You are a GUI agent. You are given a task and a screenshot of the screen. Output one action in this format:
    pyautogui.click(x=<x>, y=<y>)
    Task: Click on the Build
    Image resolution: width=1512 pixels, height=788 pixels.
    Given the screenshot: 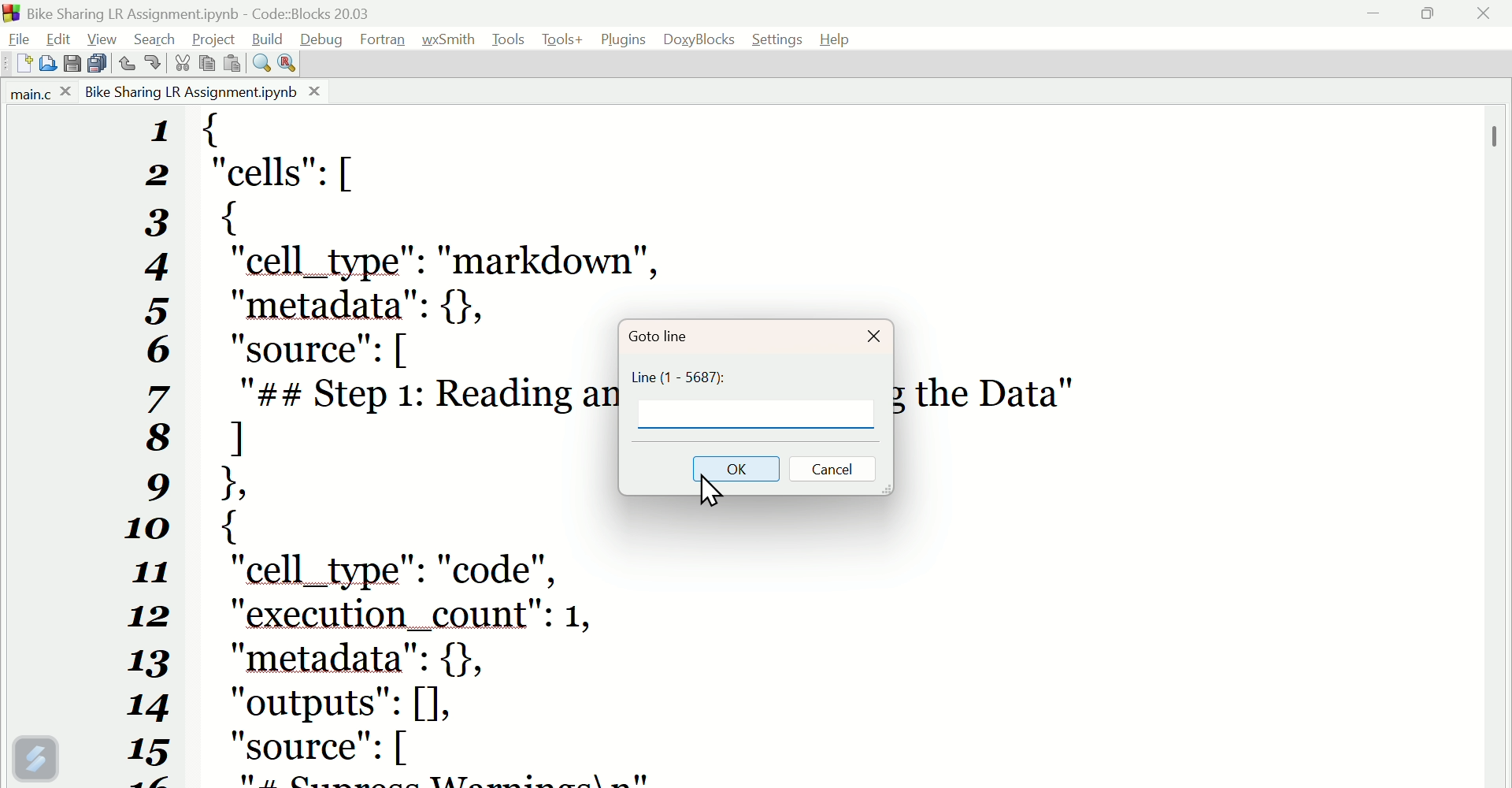 What is the action you would take?
    pyautogui.click(x=270, y=38)
    